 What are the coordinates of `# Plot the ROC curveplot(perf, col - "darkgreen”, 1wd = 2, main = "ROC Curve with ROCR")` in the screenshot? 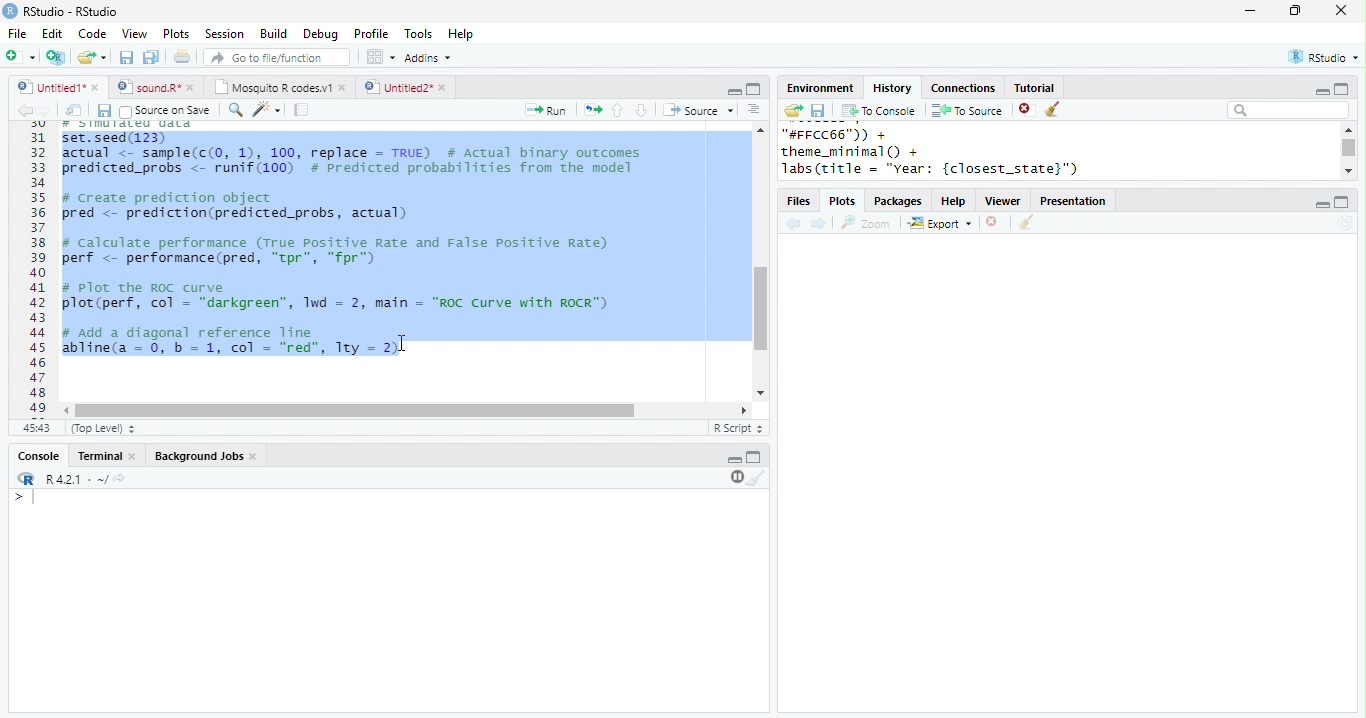 It's located at (339, 297).